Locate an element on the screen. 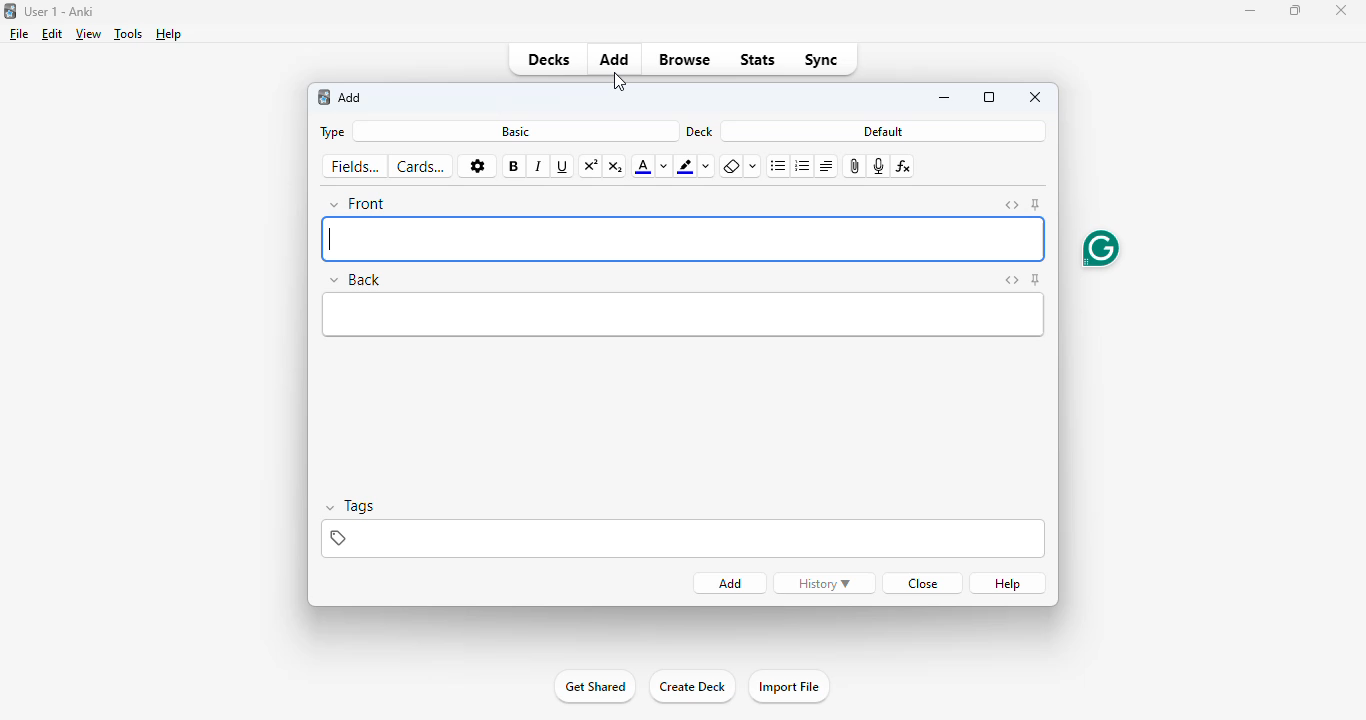 Image resolution: width=1366 pixels, height=720 pixels. superscript is located at coordinates (592, 165).